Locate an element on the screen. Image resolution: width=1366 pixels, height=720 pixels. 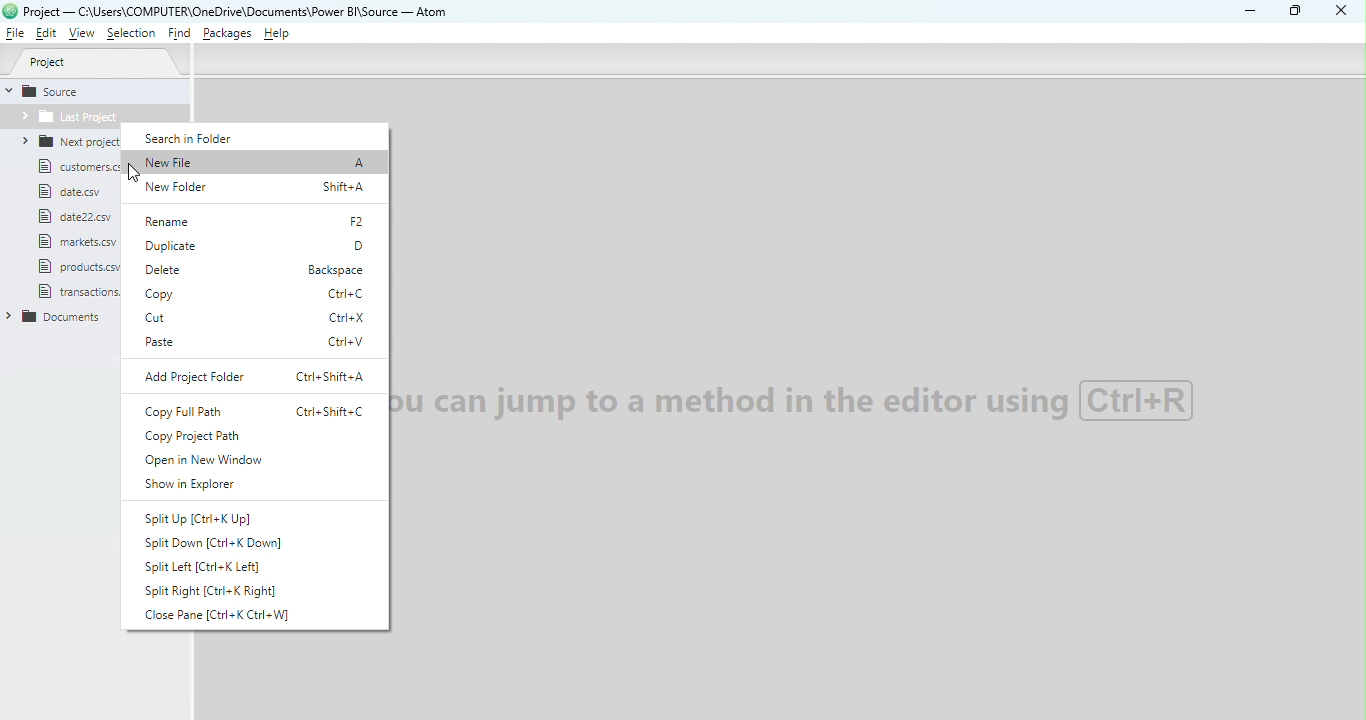
Copy full path is located at coordinates (259, 413).